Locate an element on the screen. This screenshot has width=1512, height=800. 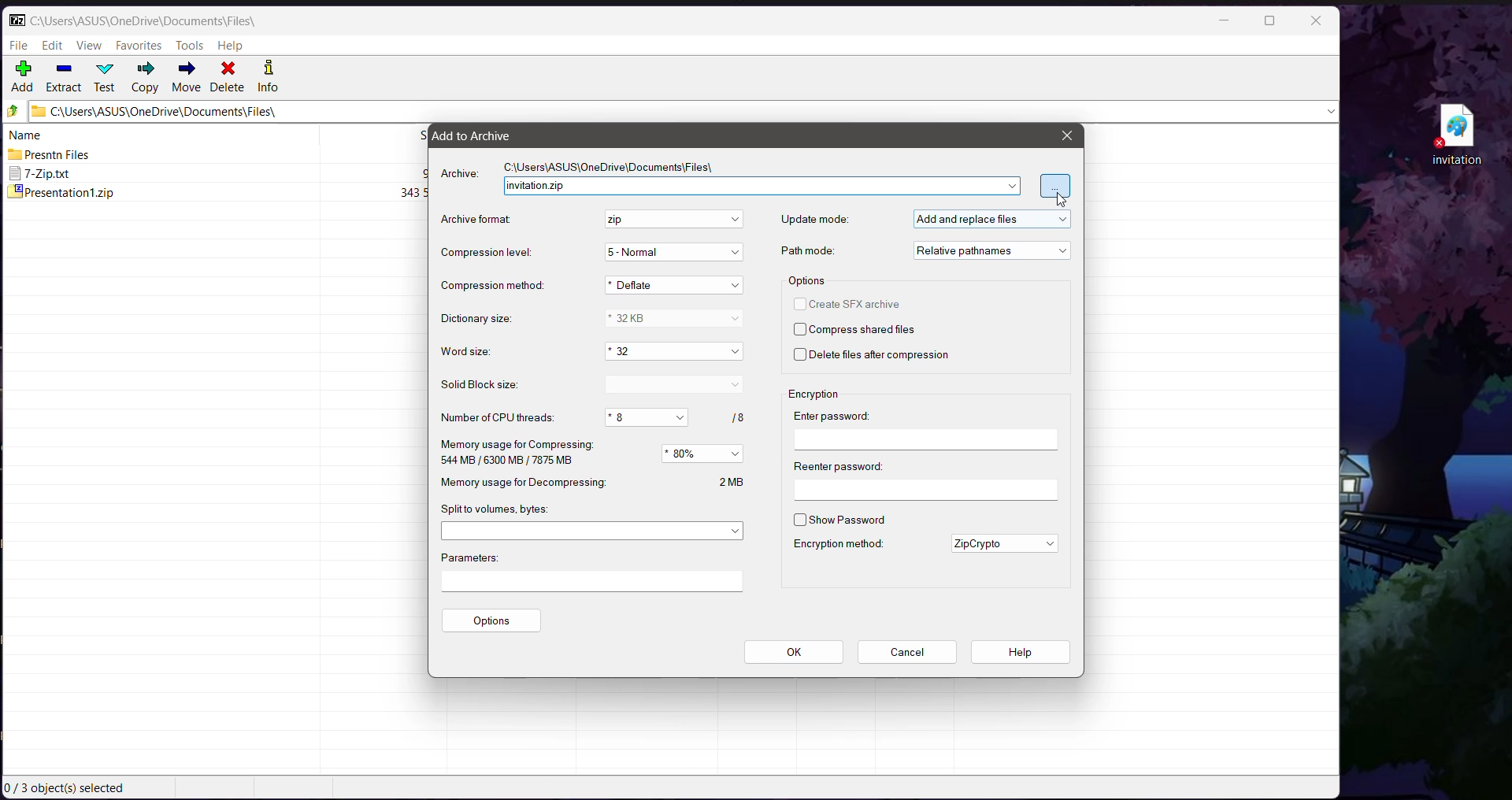
Cancel is located at coordinates (906, 652).